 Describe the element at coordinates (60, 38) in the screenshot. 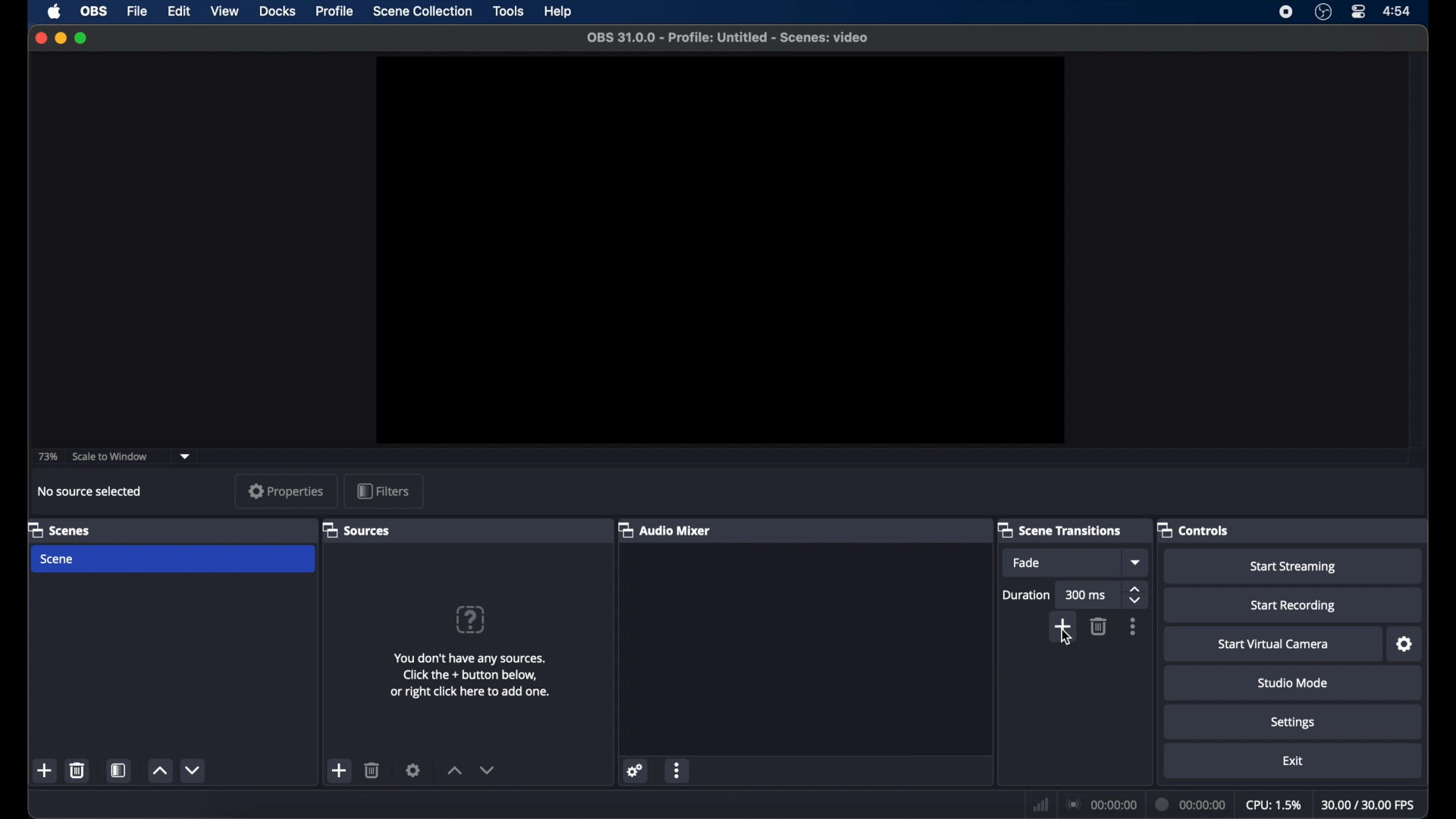

I see `minimize` at that location.